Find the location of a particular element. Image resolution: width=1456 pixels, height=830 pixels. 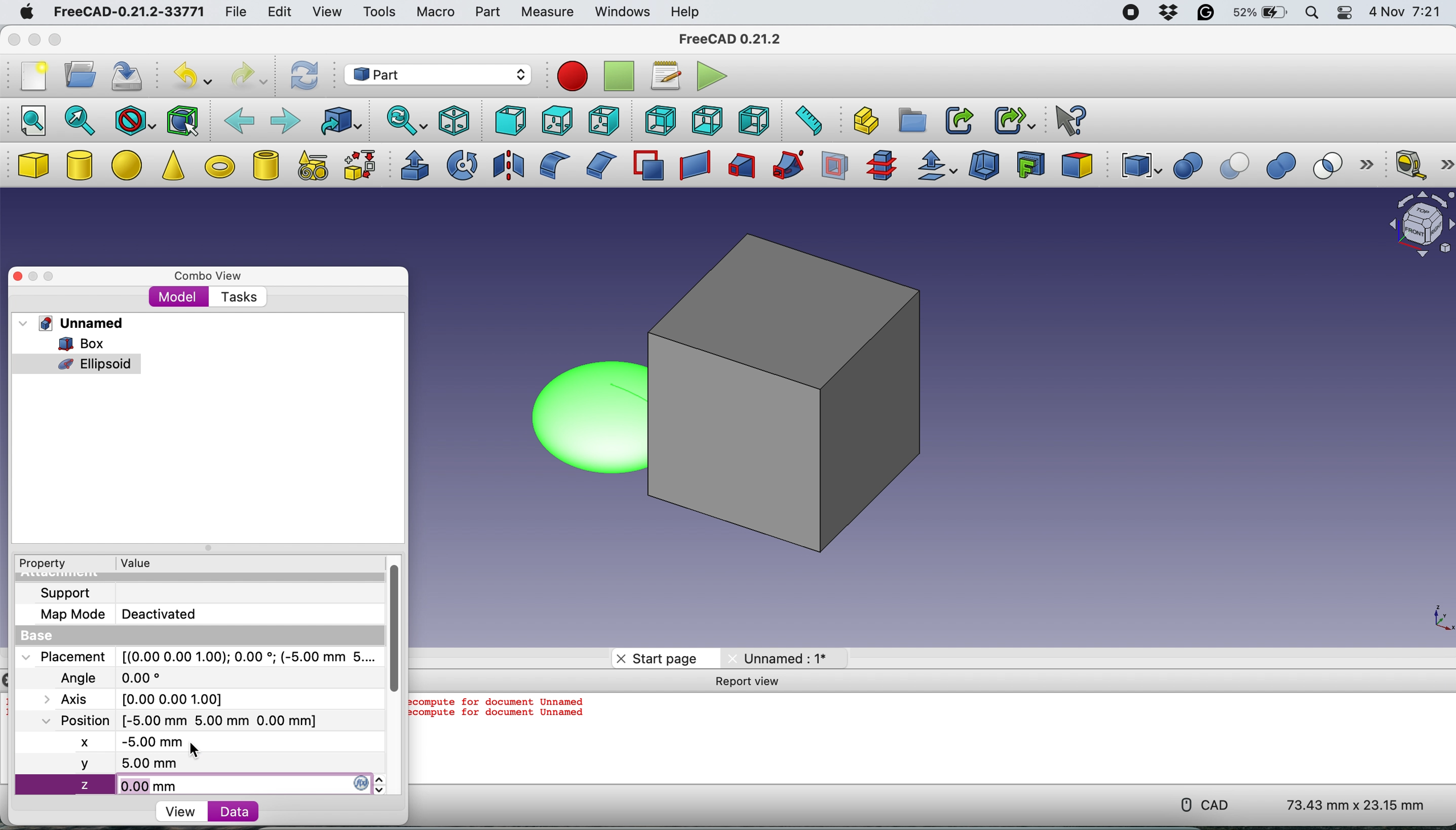

sweep is located at coordinates (784, 166).